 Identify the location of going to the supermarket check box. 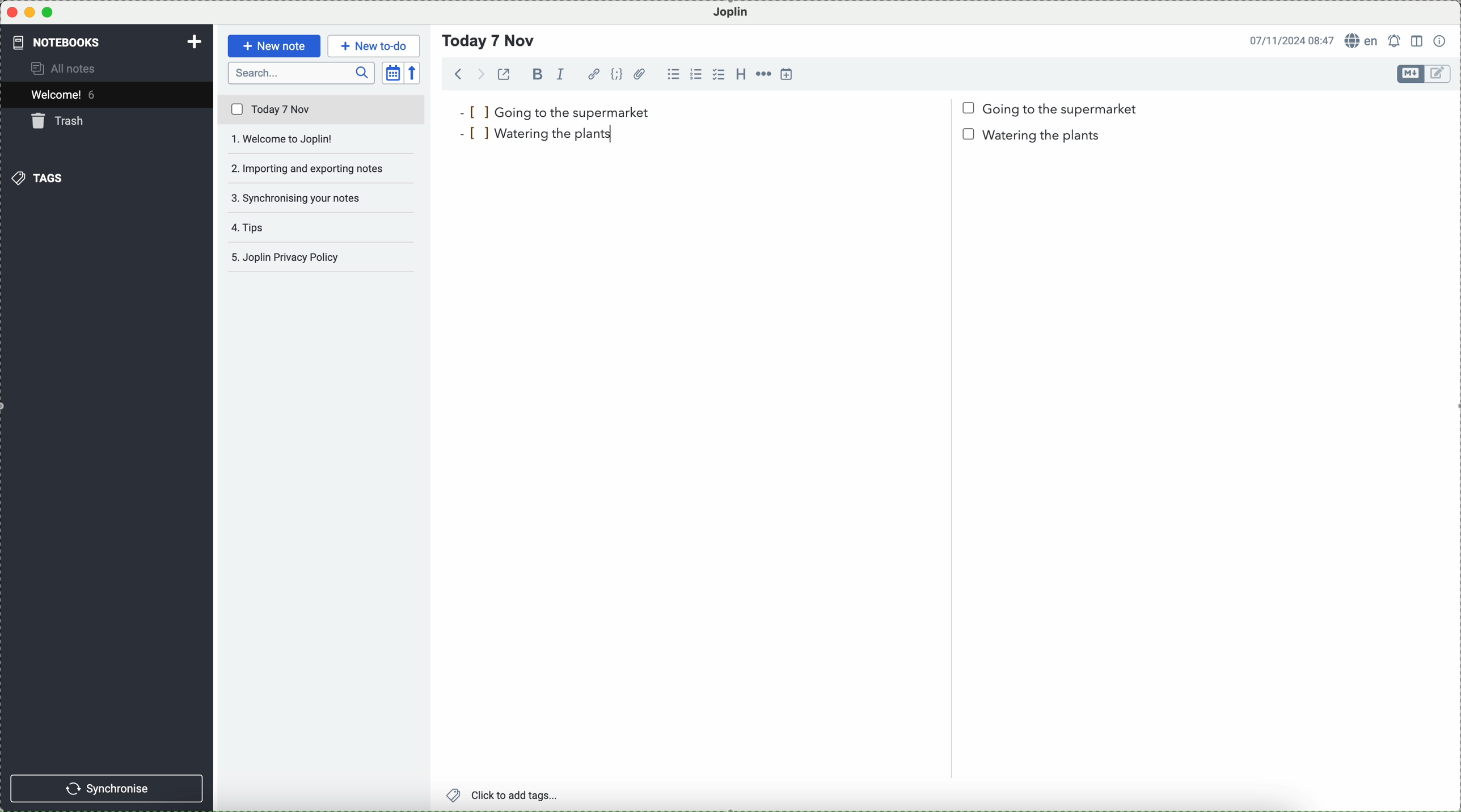
(1053, 109).